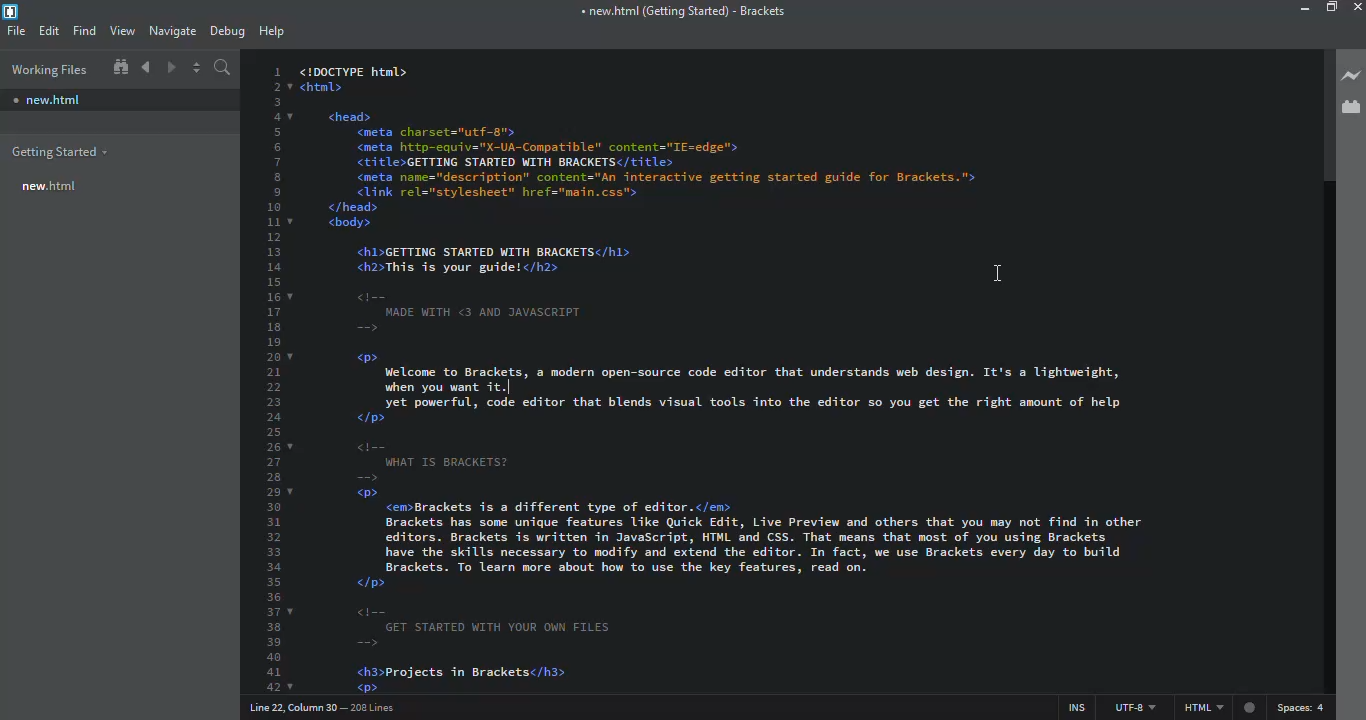 The height and width of the screenshot is (720, 1366). What do you see at coordinates (120, 67) in the screenshot?
I see `show in file tree` at bounding box center [120, 67].